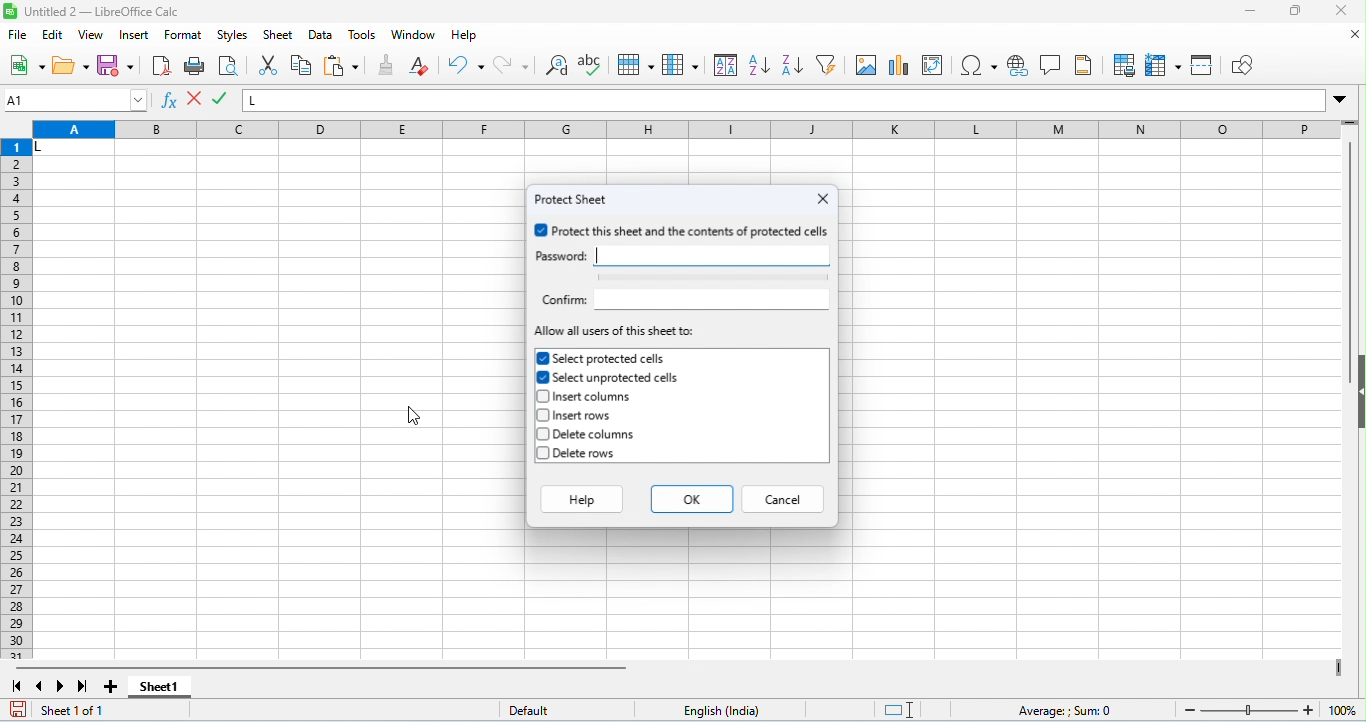 Image resolution: width=1366 pixels, height=722 pixels. What do you see at coordinates (683, 231) in the screenshot?
I see `protect this sheet and the contents of protected cells` at bounding box center [683, 231].